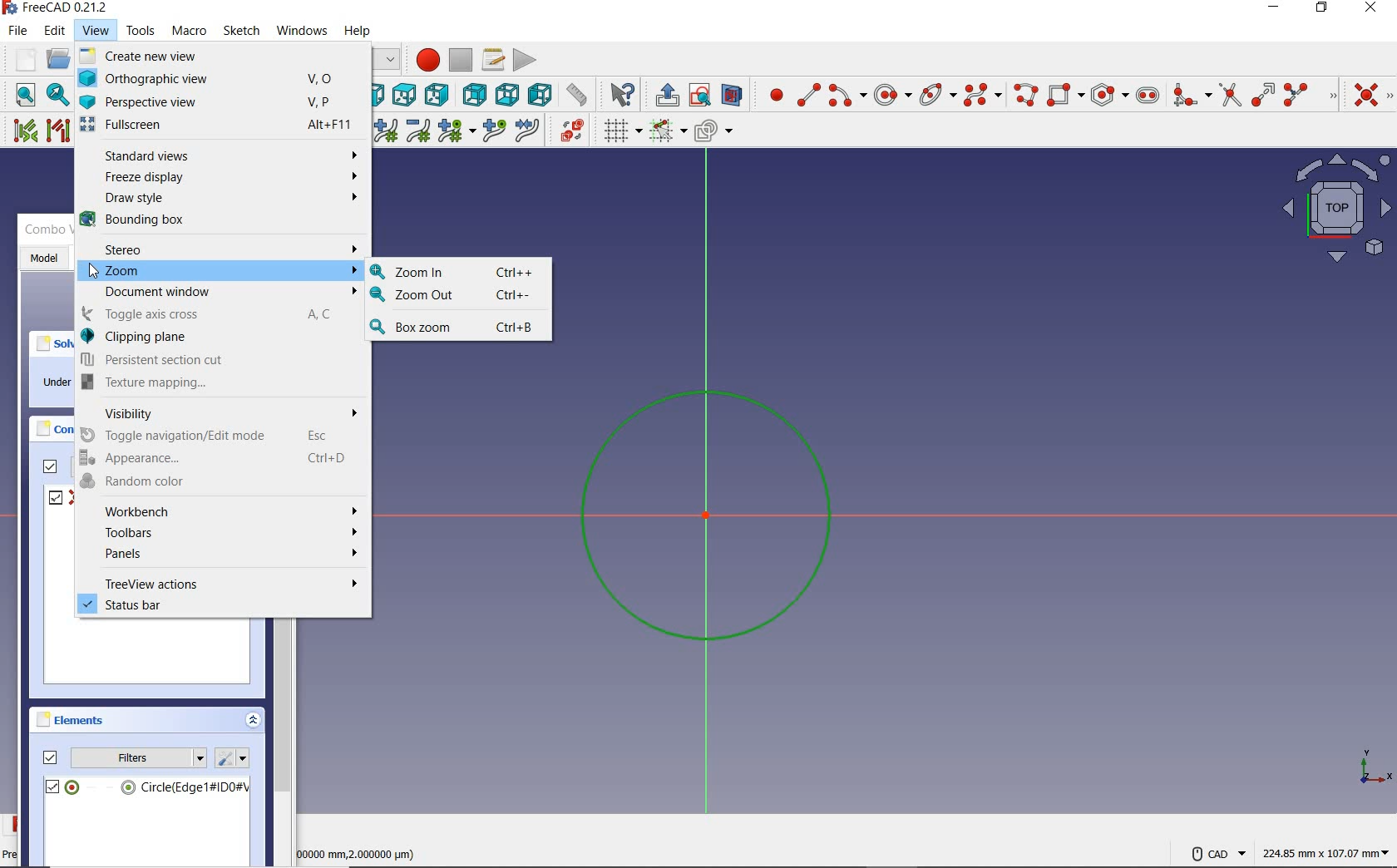  I want to click on file, so click(20, 31).